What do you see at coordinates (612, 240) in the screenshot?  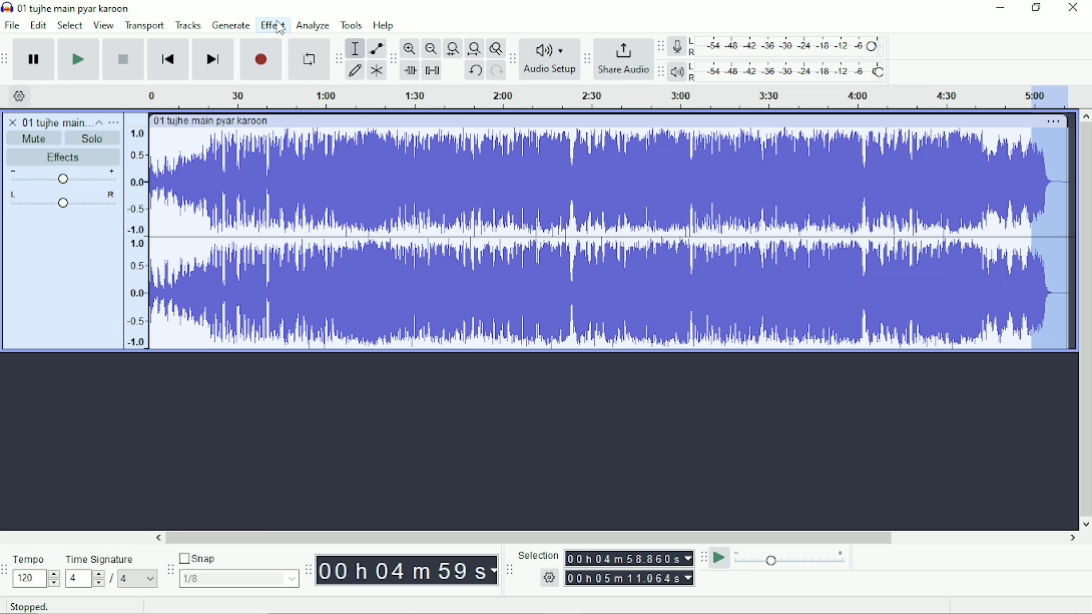 I see `Audio` at bounding box center [612, 240].